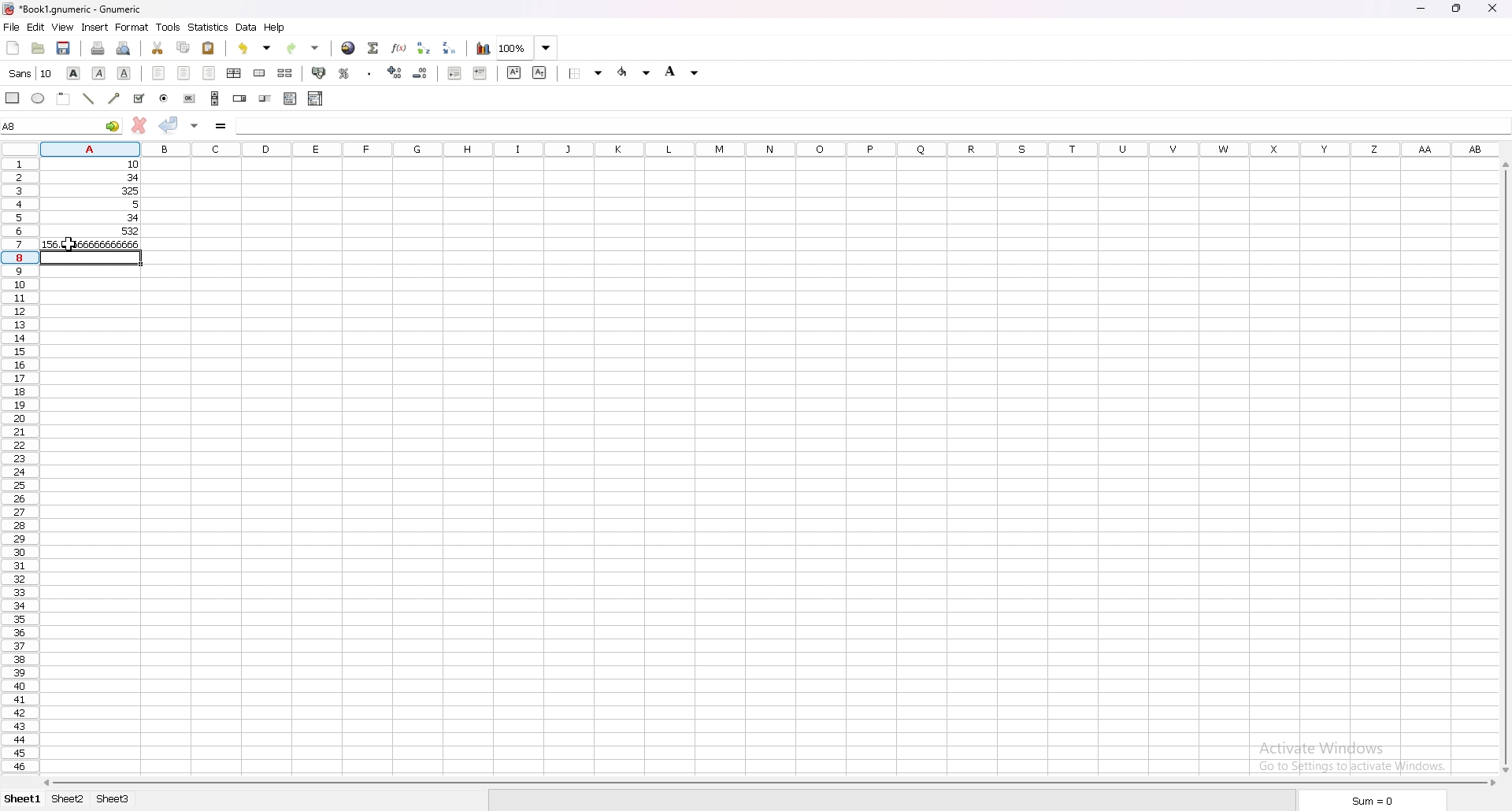 The height and width of the screenshot is (811, 1512). Describe the element at coordinates (94, 177) in the screenshot. I see `34` at that location.